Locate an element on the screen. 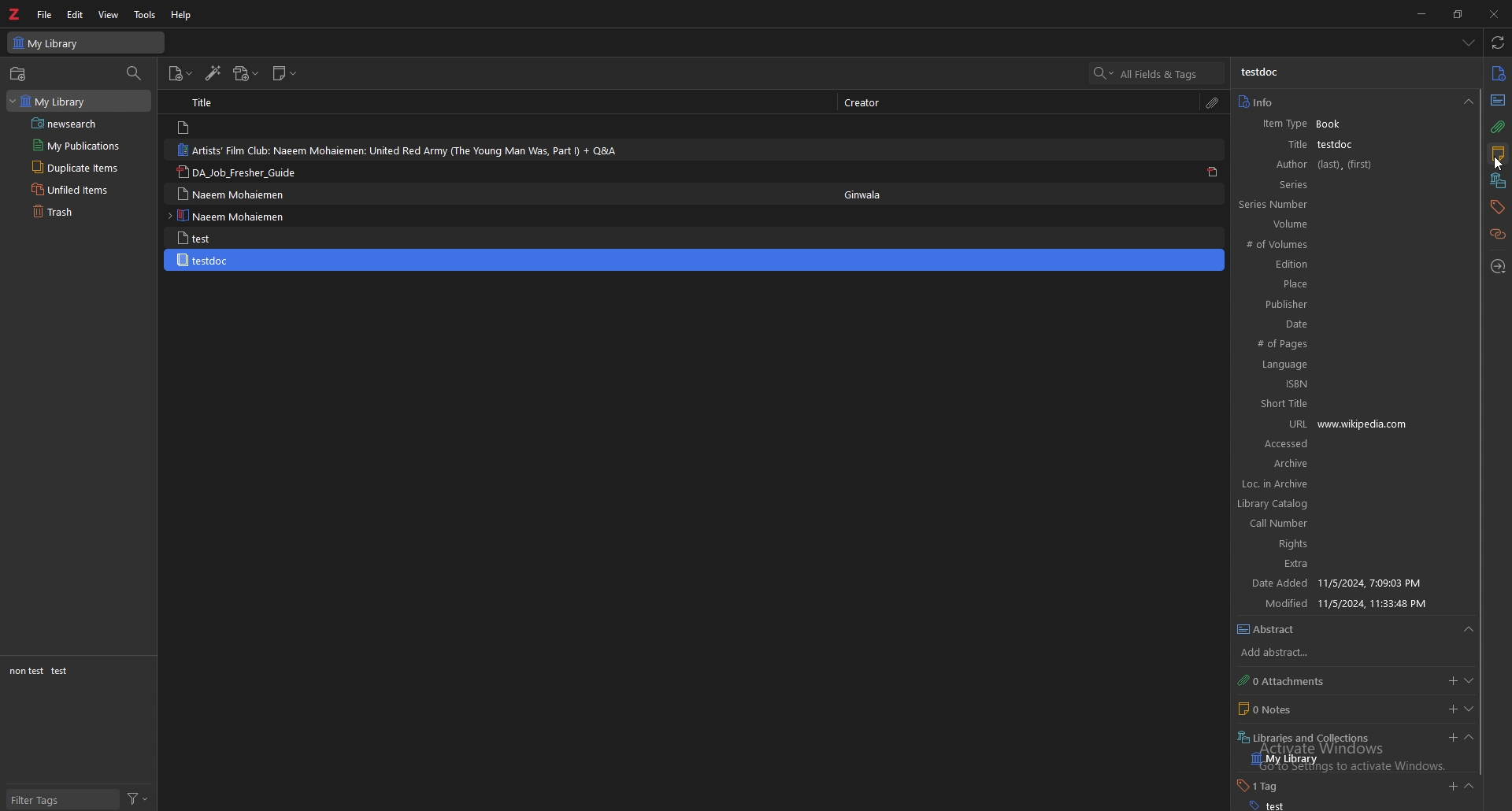  test is located at coordinates (232, 238).